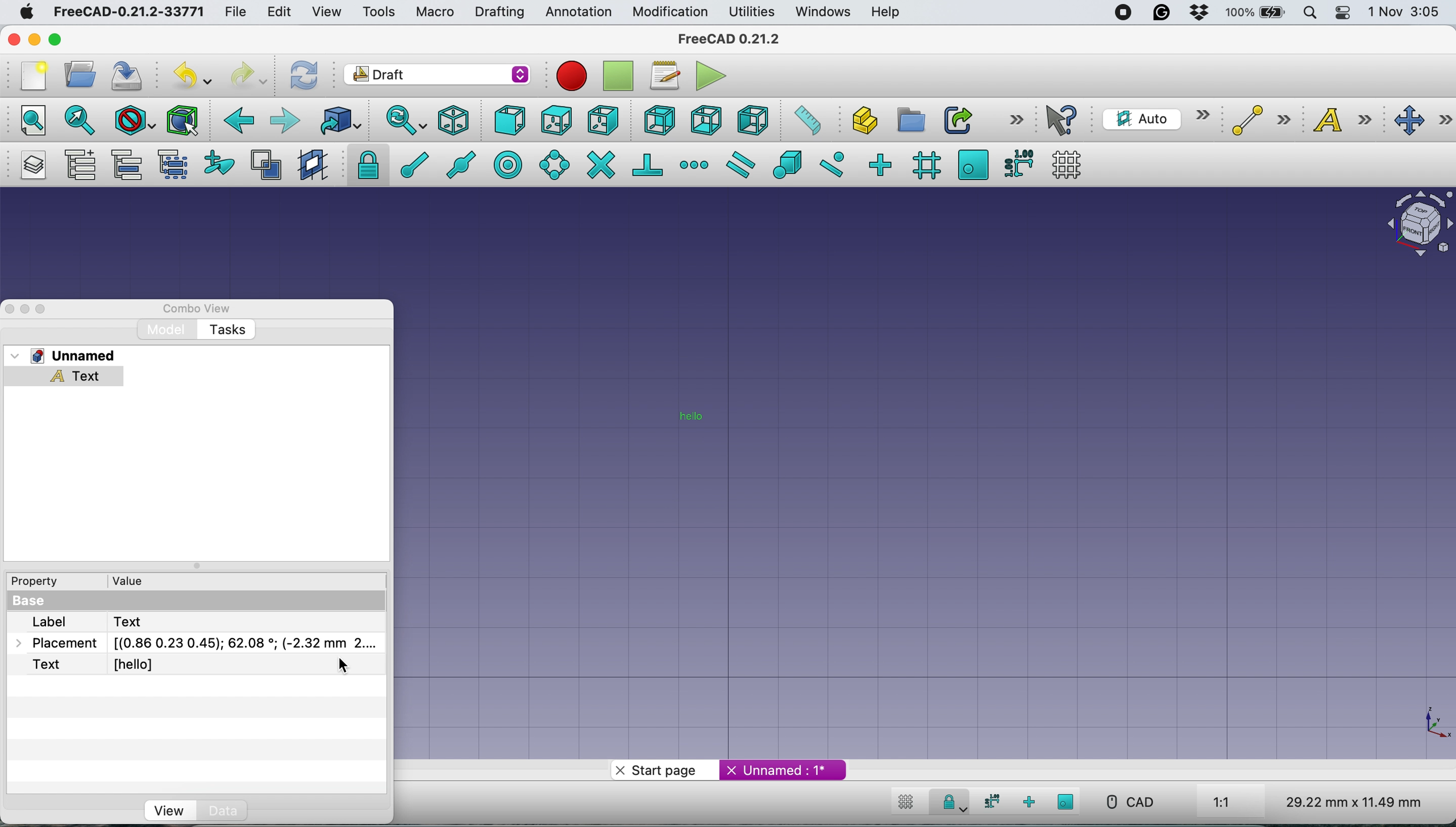 The image size is (1456, 827). Describe the element at coordinates (132, 581) in the screenshot. I see `value` at that location.